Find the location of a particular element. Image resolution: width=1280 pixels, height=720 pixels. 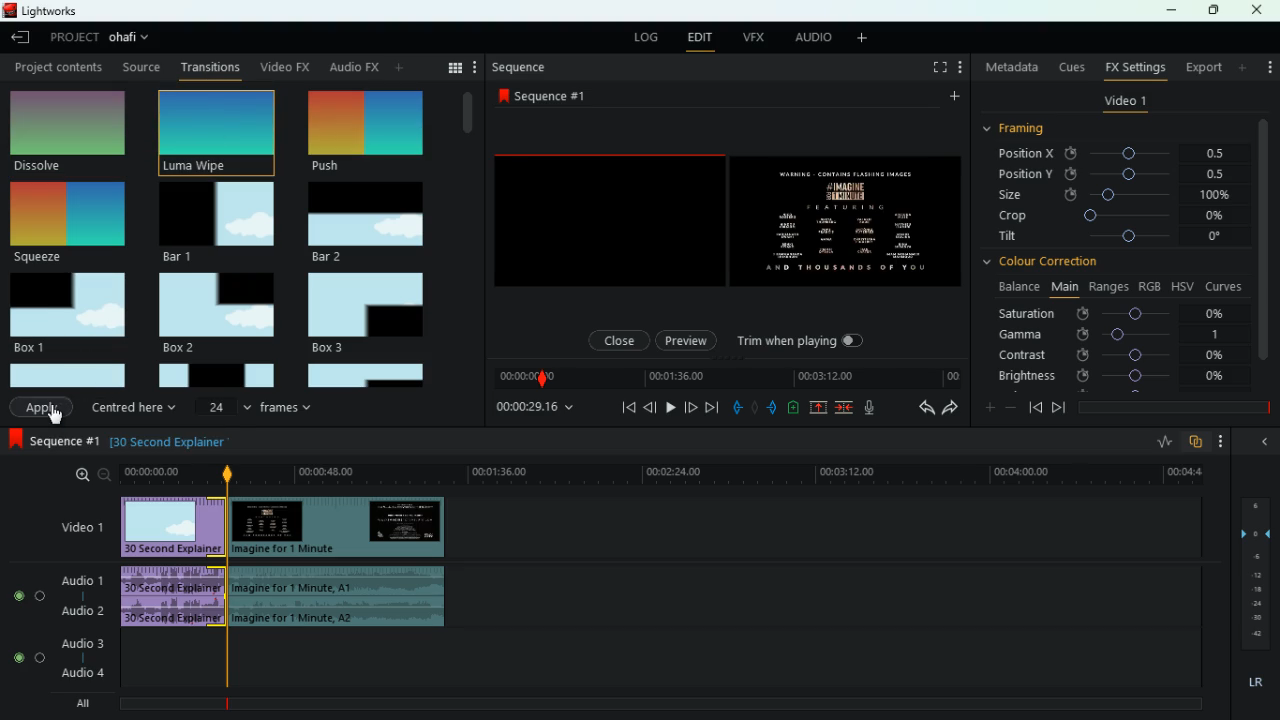

bar 2 is located at coordinates (365, 222).